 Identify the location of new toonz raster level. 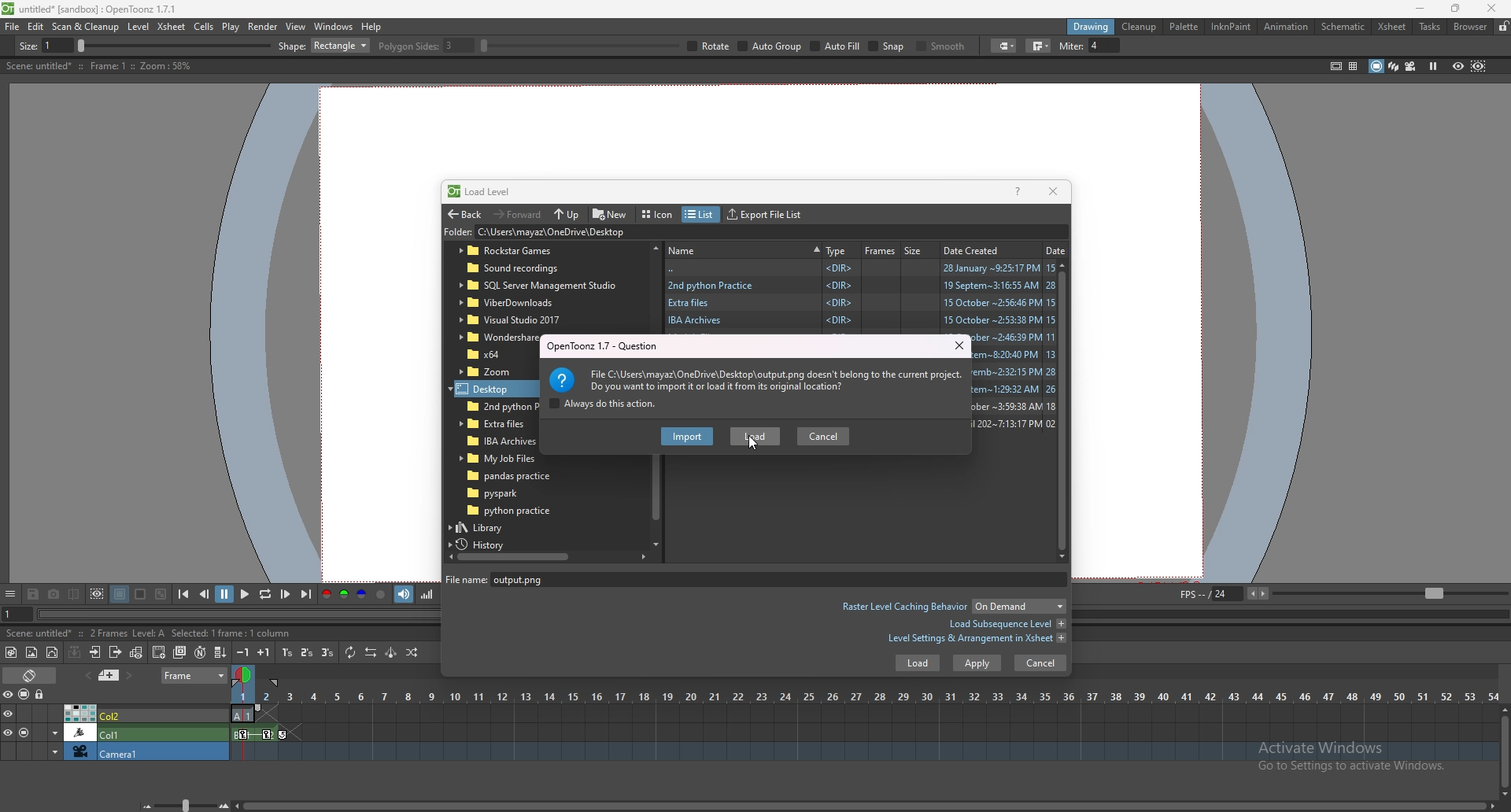
(12, 652).